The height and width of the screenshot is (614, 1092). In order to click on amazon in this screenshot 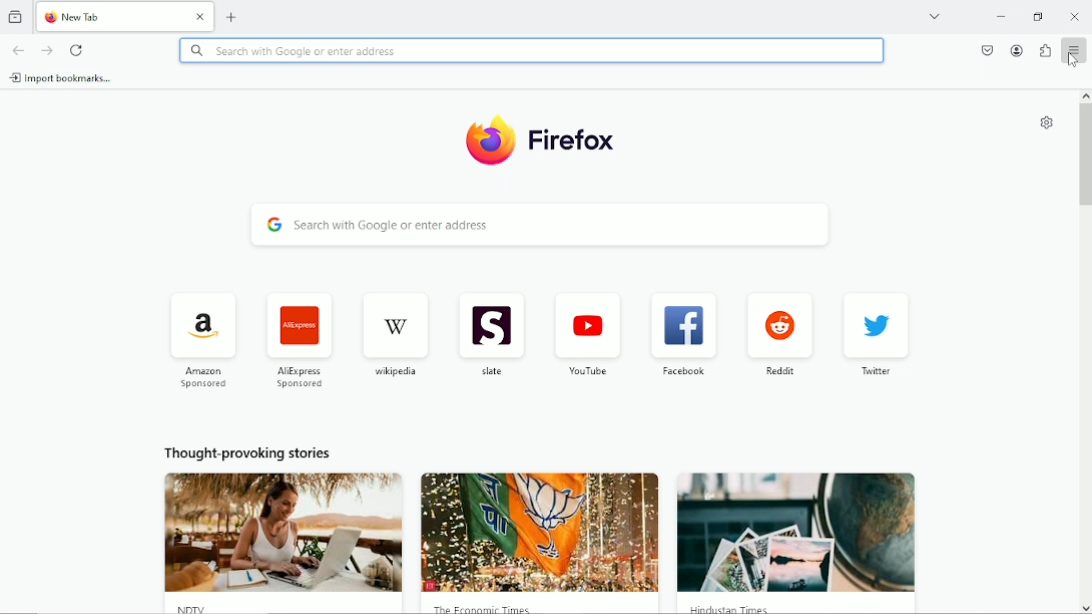, I will do `click(204, 382)`.